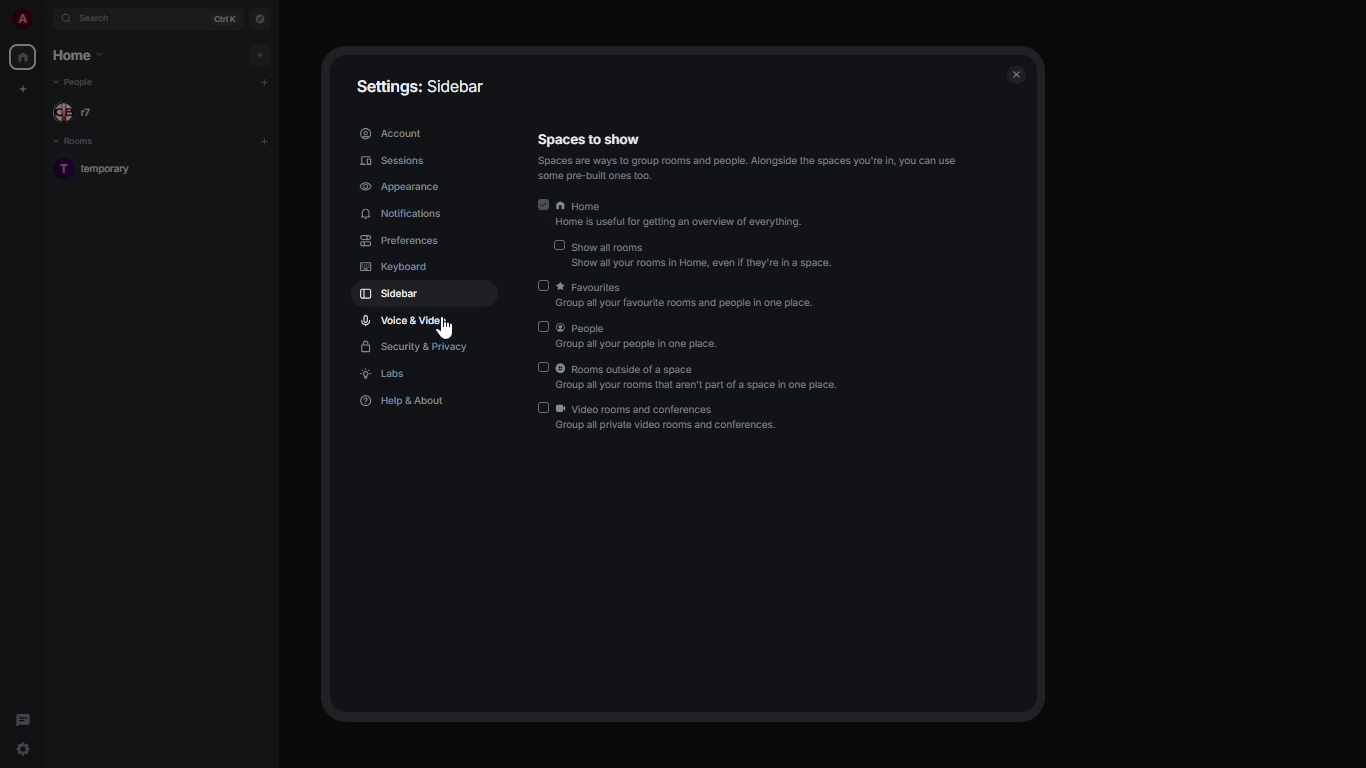 This screenshot has width=1366, height=768. What do you see at coordinates (540, 206) in the screenshot?
I see `enabled` at bounding box center [540, 206].